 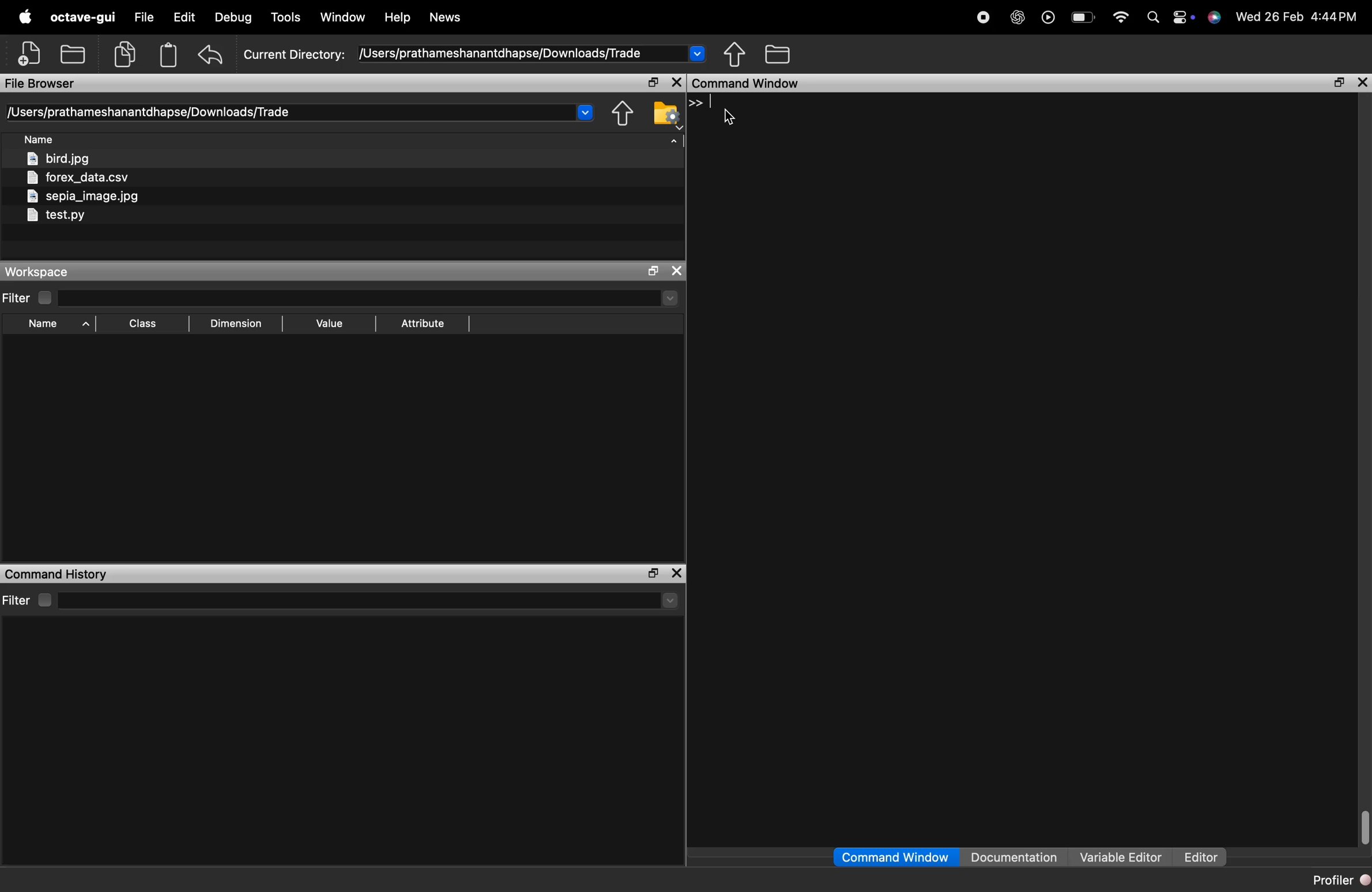 I want to click on Command History, so click(x=58, y=574).